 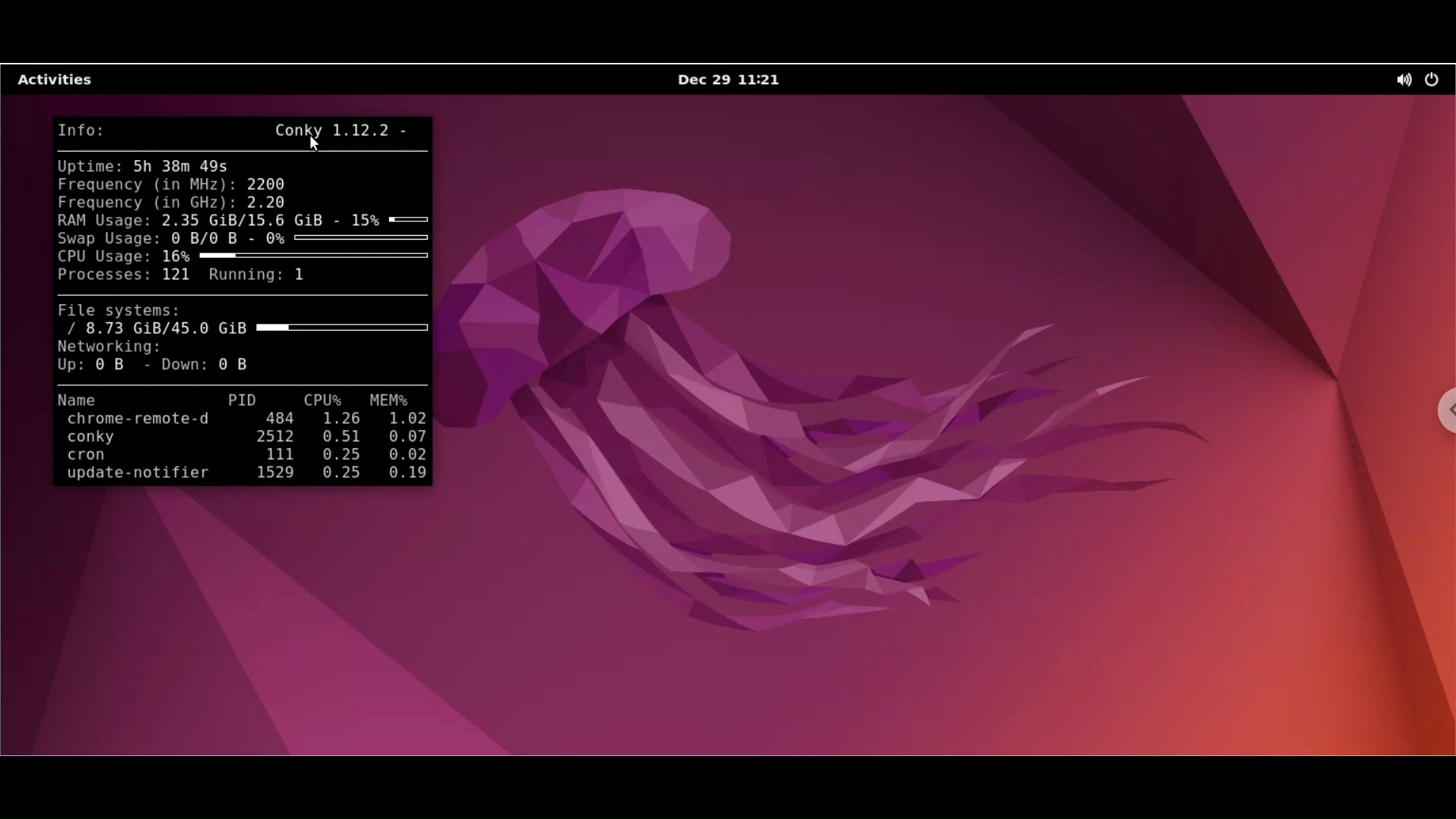 I want to click on 0.51, so click(x=339, y=436).